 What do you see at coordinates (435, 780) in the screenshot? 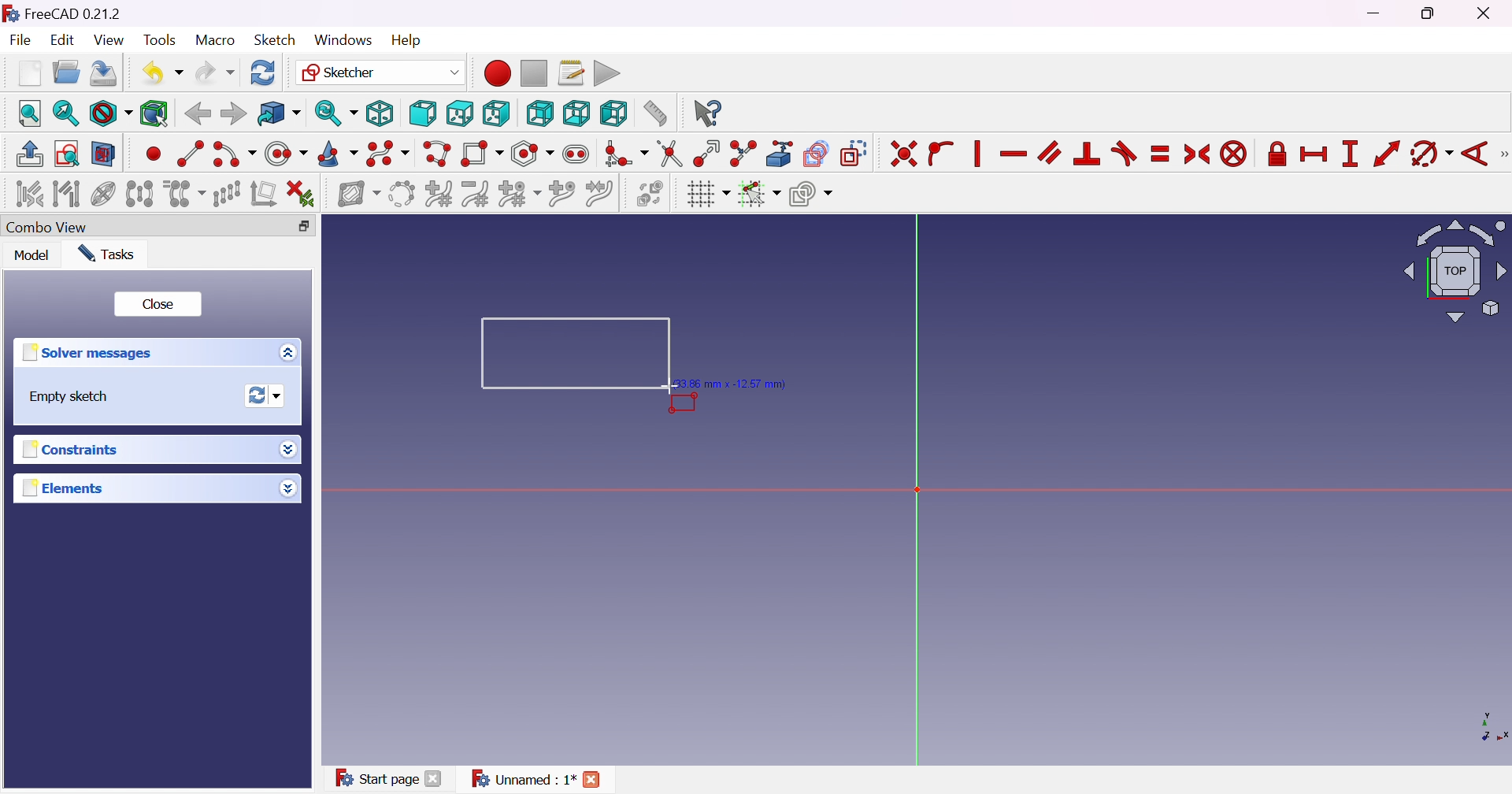
I see `Close` at bounding box center [435, 780].